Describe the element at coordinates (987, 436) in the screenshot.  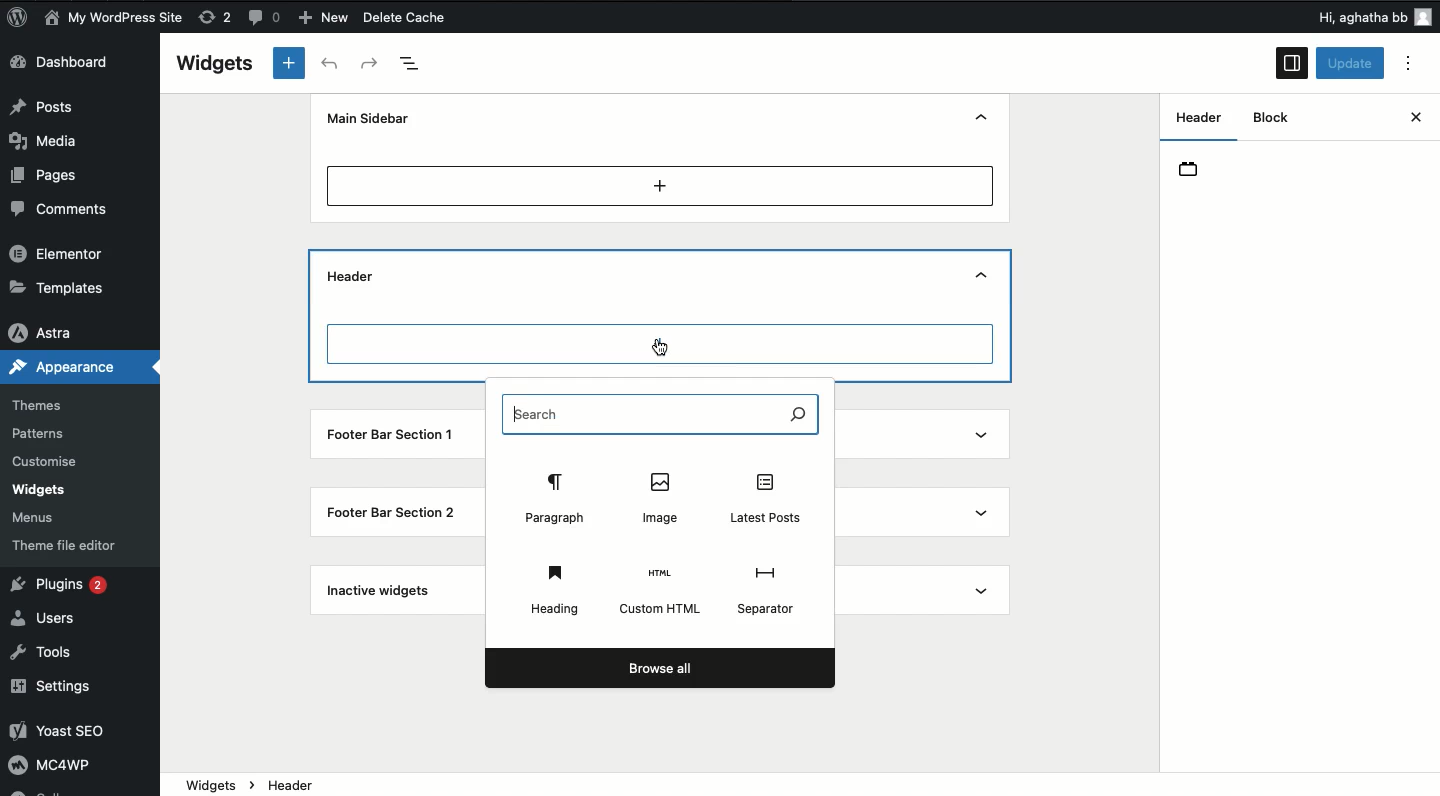
I see `Show` at that location.